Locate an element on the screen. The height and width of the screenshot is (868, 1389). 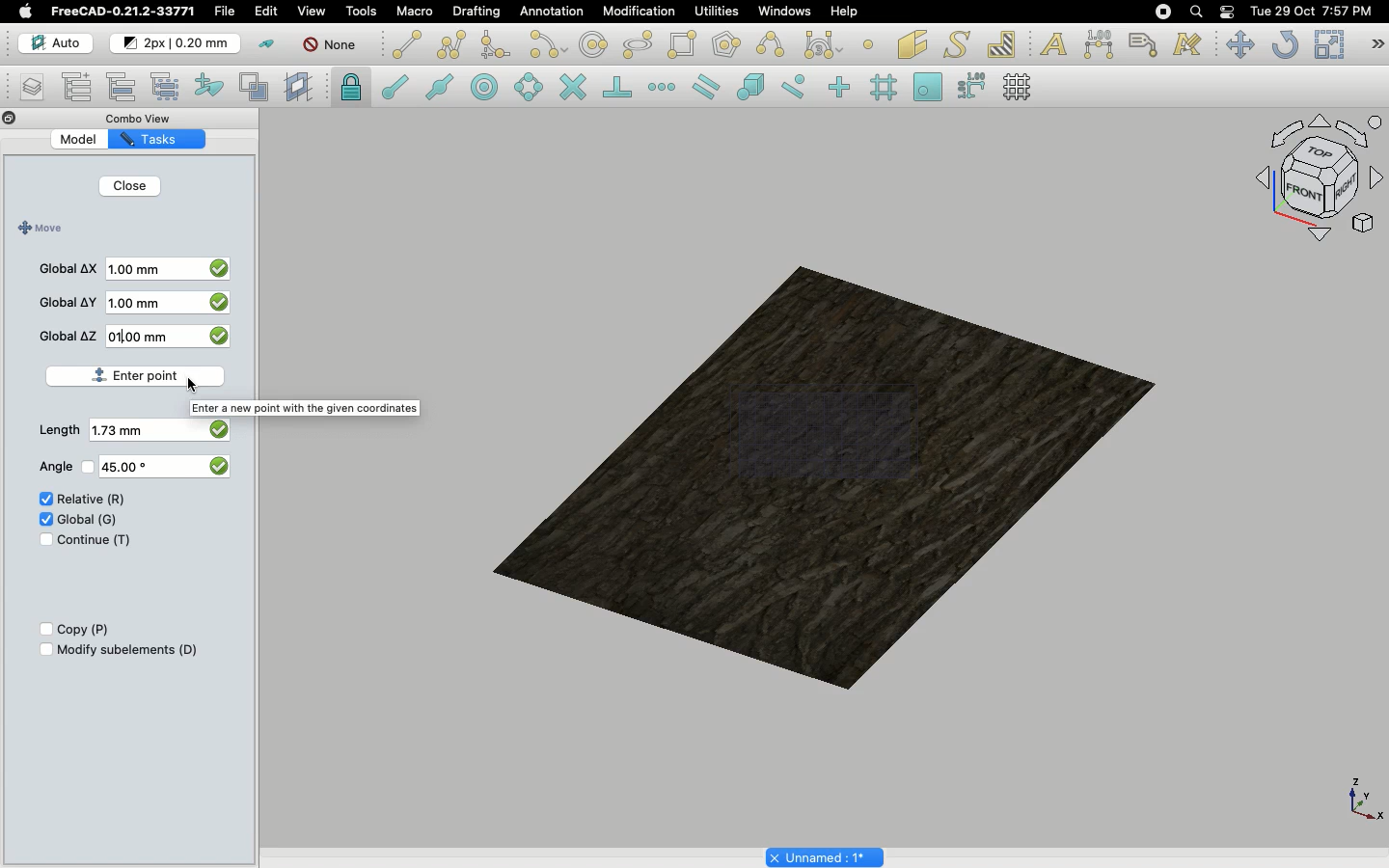
Notification is located at coordinates (1229, 11).